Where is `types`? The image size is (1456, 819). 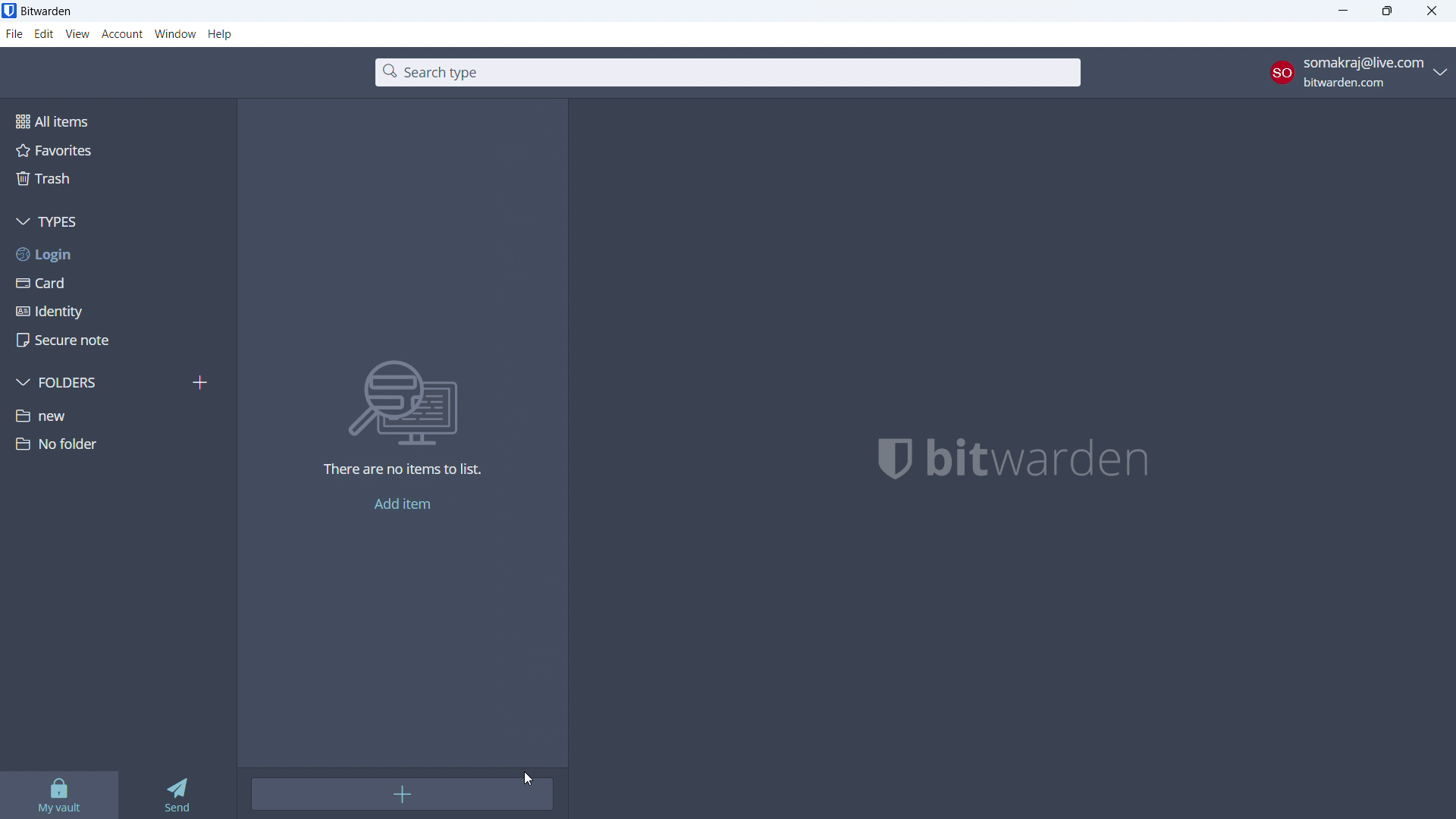
types is located at coordinates (118, 222).